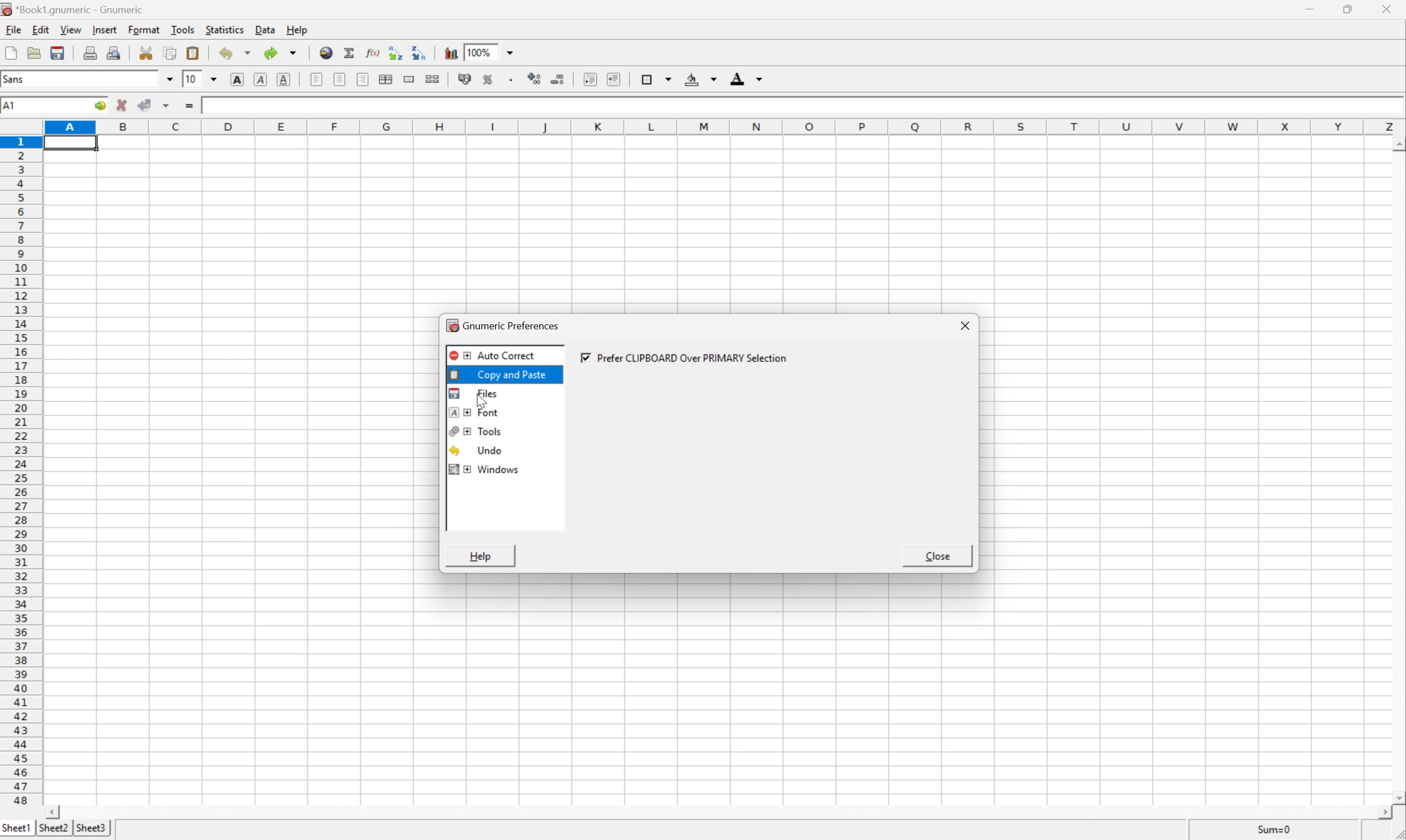  Describe the element at coordinates (1278, 832) in the screenshot. I see `sum=0` at that location.